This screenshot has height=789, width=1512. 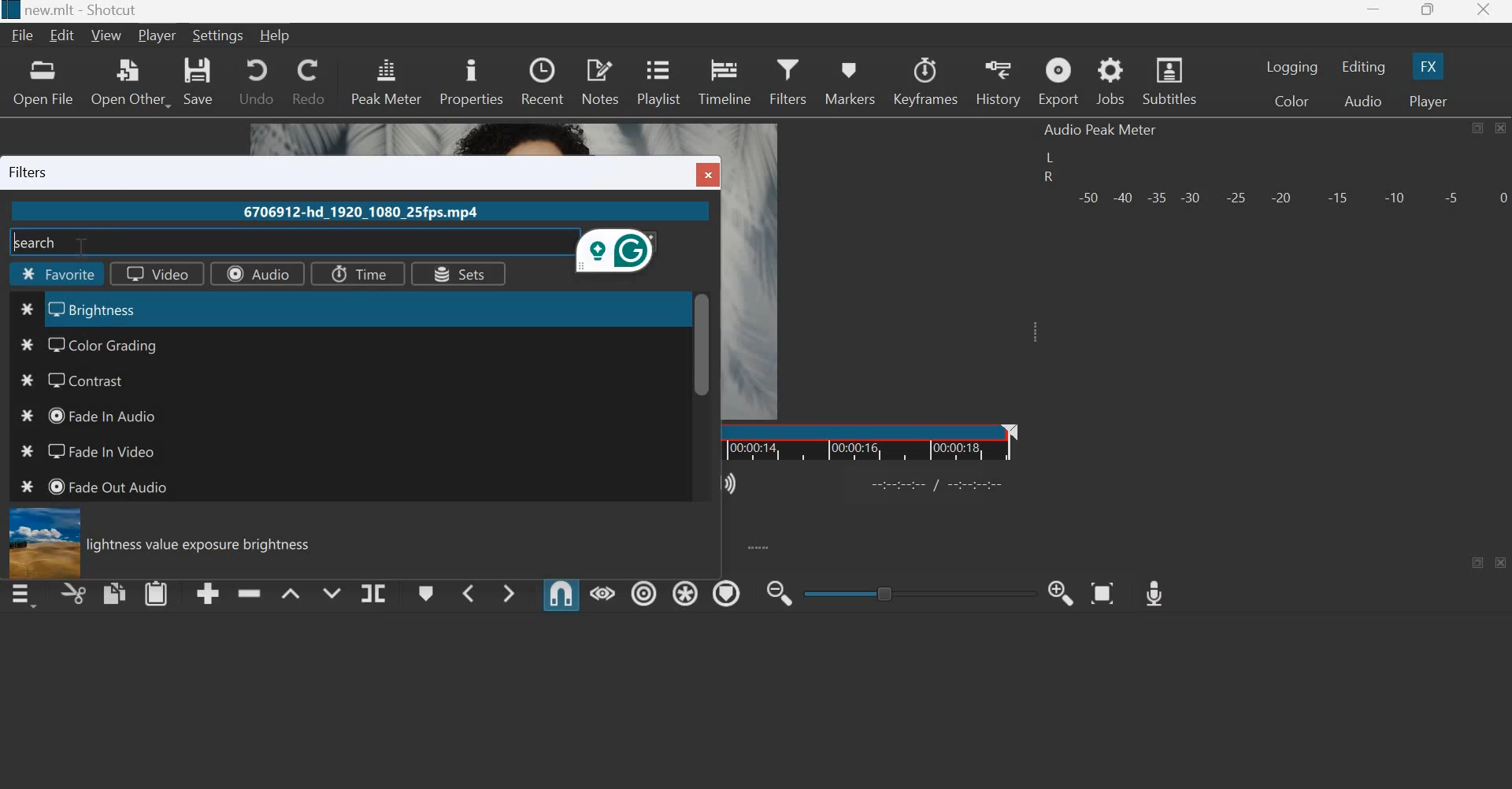 I want to click on Filters, so click(x=34, y=172).